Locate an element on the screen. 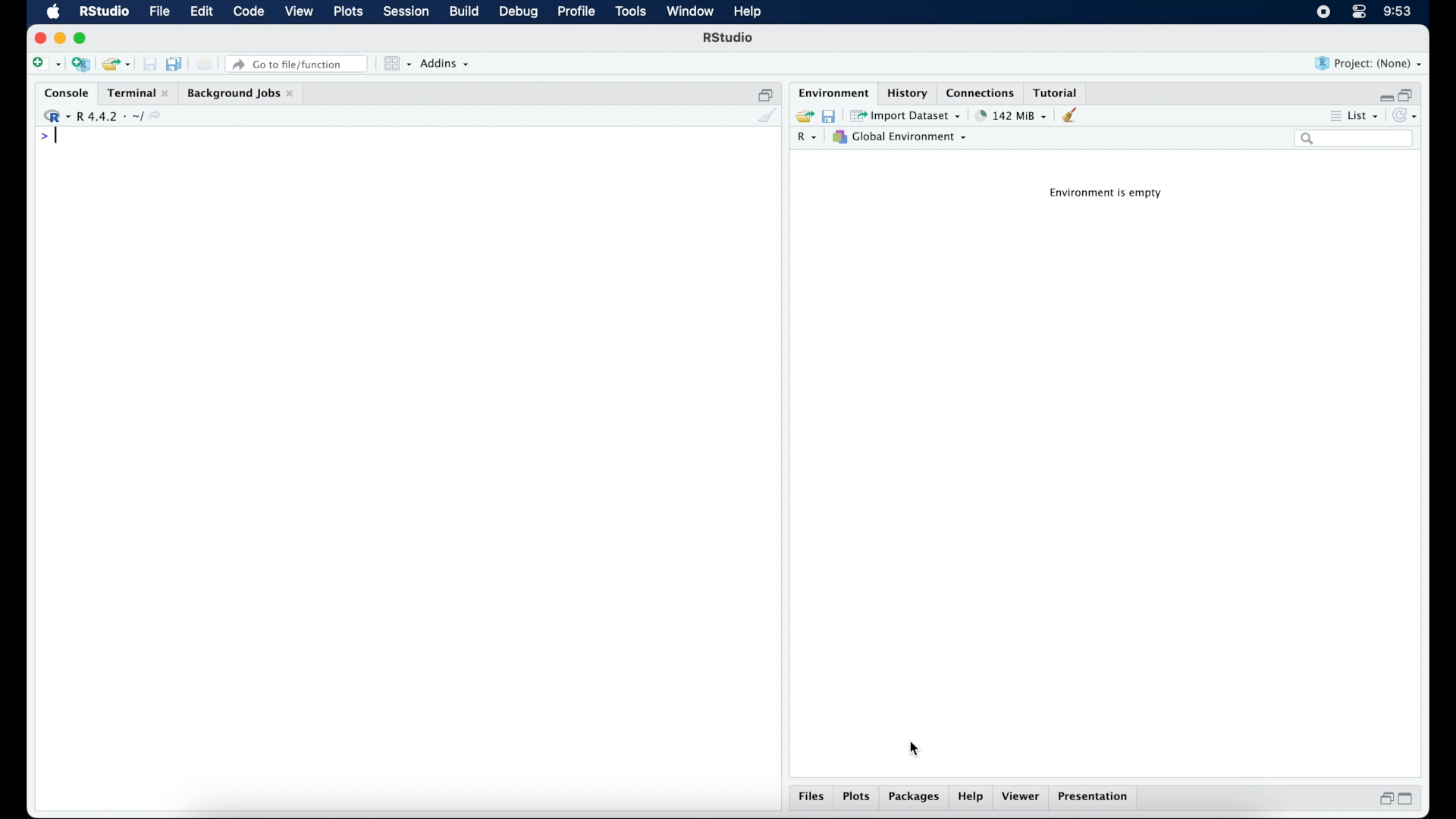  R 4.4.2 is located at coordinates (102, 114).